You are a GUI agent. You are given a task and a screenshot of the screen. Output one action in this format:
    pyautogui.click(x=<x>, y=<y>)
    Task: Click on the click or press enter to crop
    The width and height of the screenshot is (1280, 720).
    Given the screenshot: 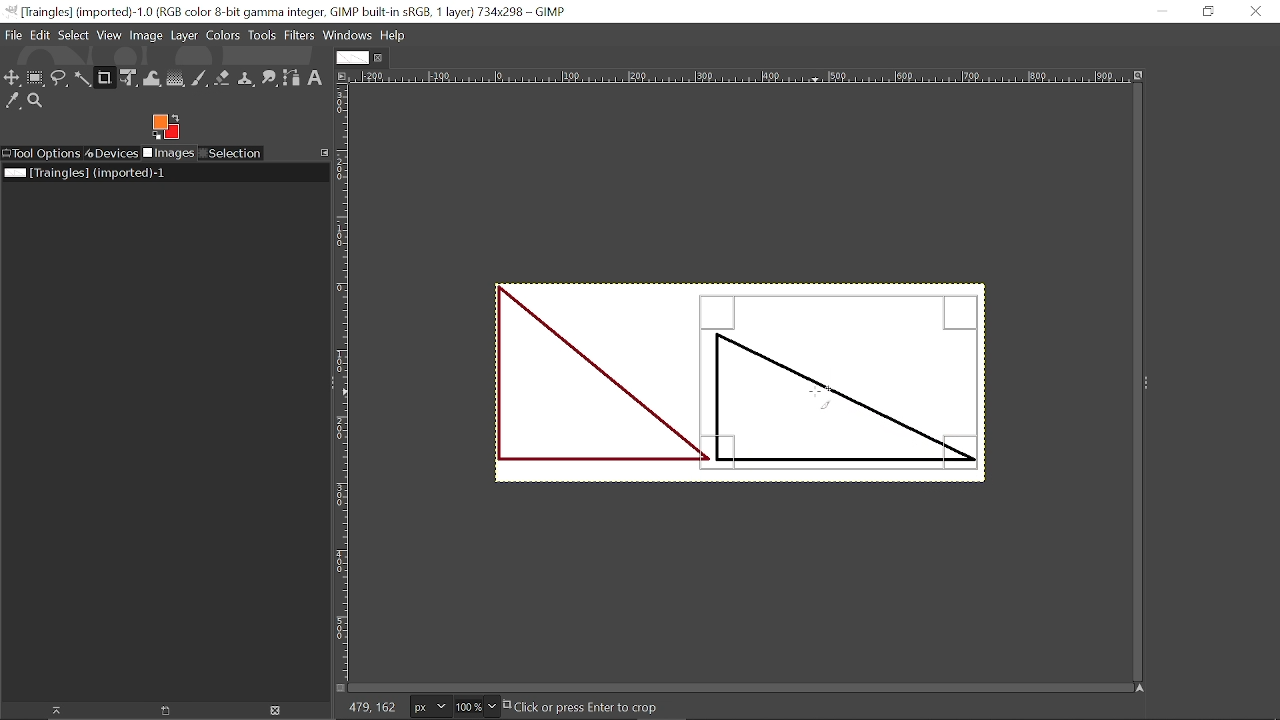 What is the action you would take?
    pyautogui.click(x=607, y=707)
    